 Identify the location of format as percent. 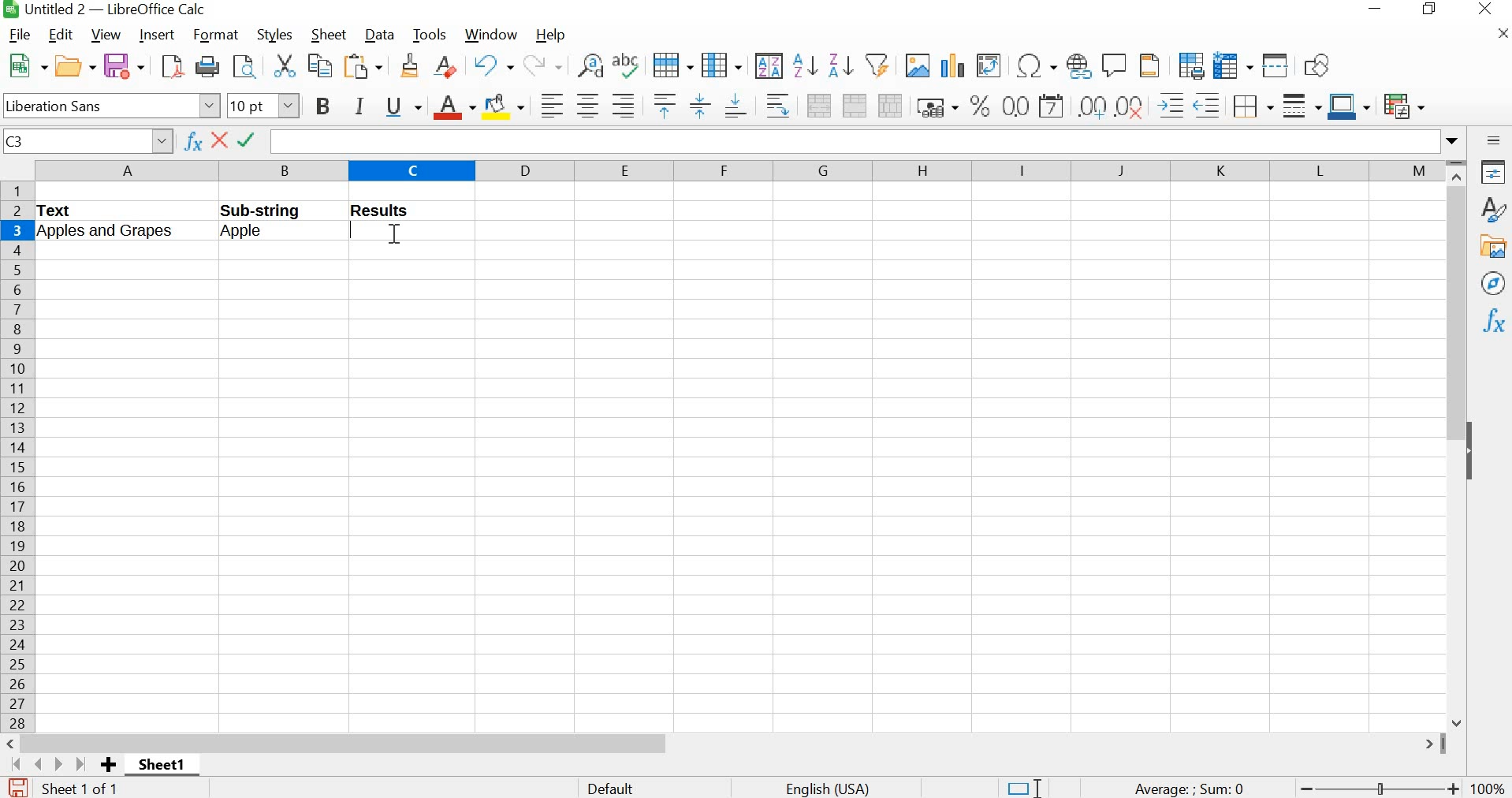
(978, 106).